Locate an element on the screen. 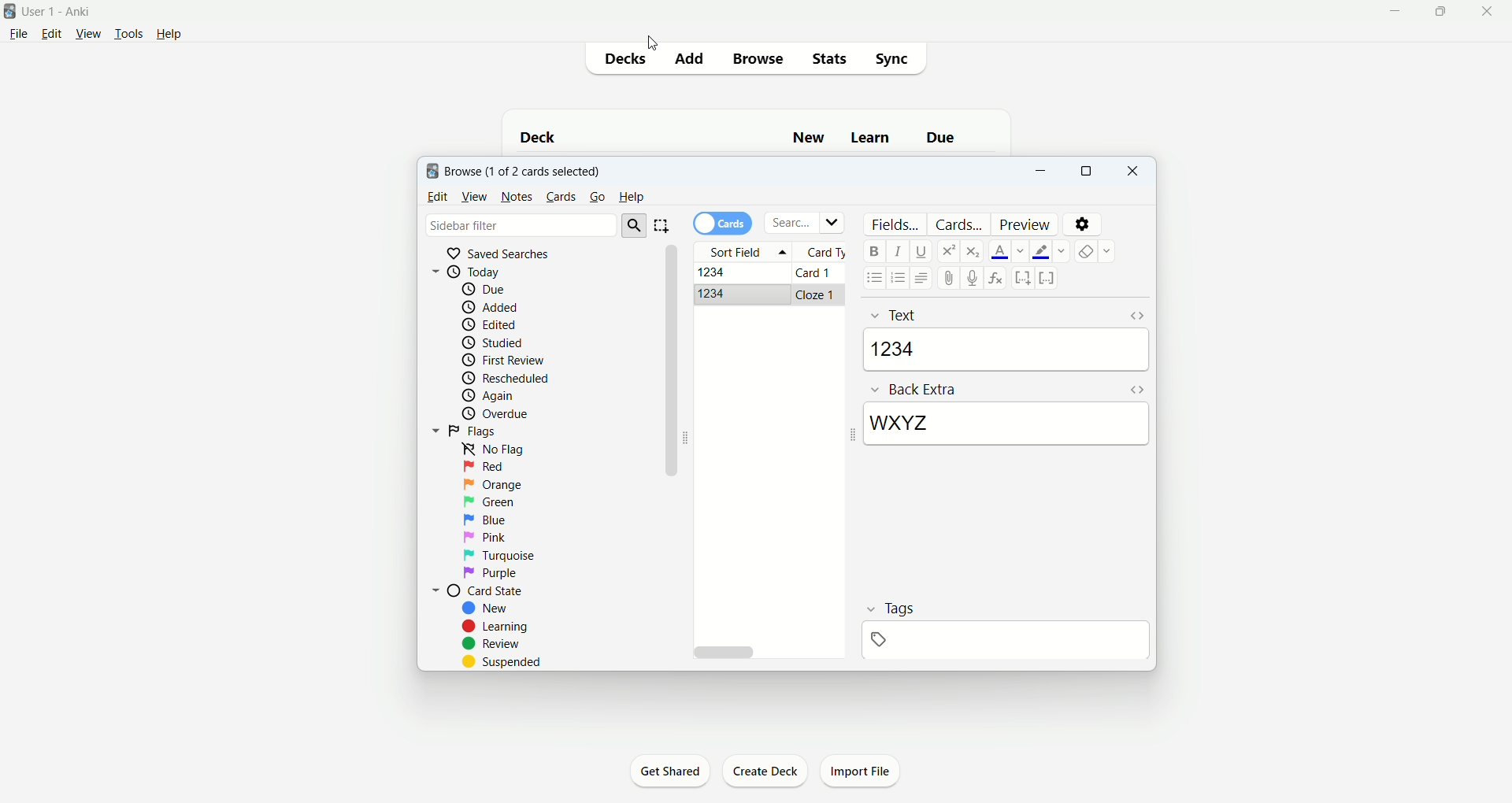 The width and height of the screenshot is (1512, 803). close is located at coordinates (1135, 173).